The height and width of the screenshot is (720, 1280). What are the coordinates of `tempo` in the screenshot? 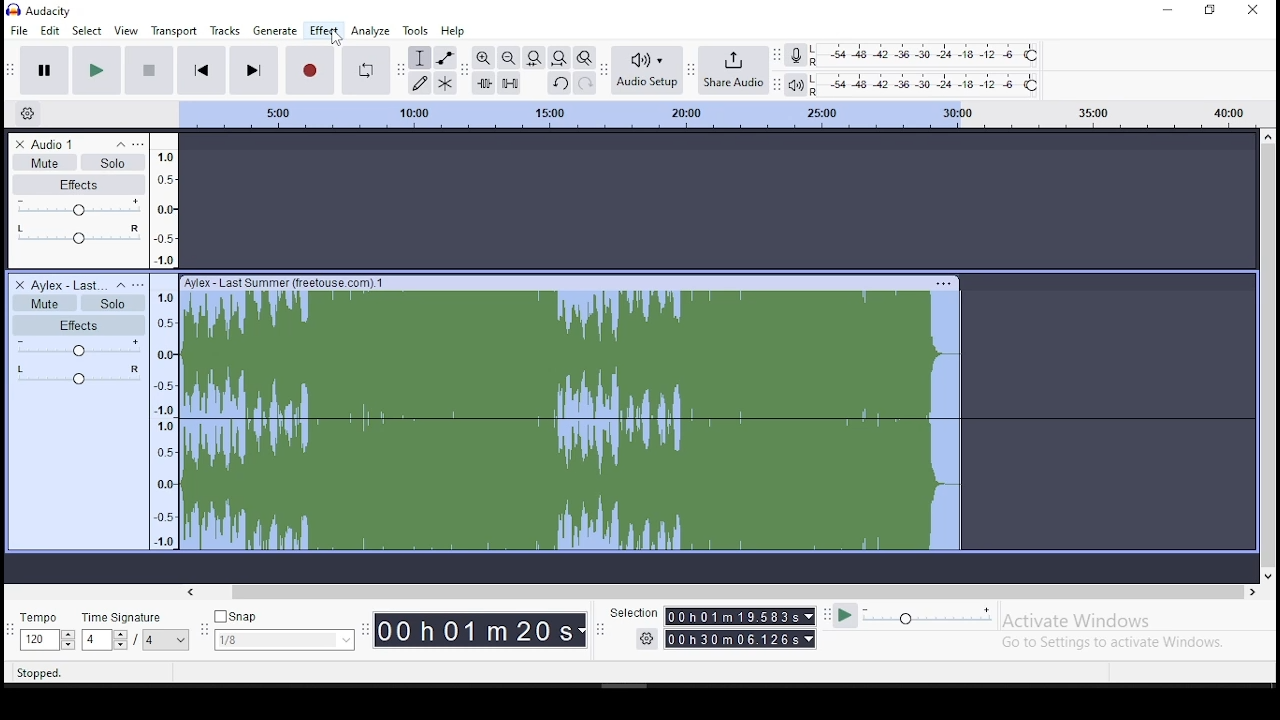 It's located at (47, 633).